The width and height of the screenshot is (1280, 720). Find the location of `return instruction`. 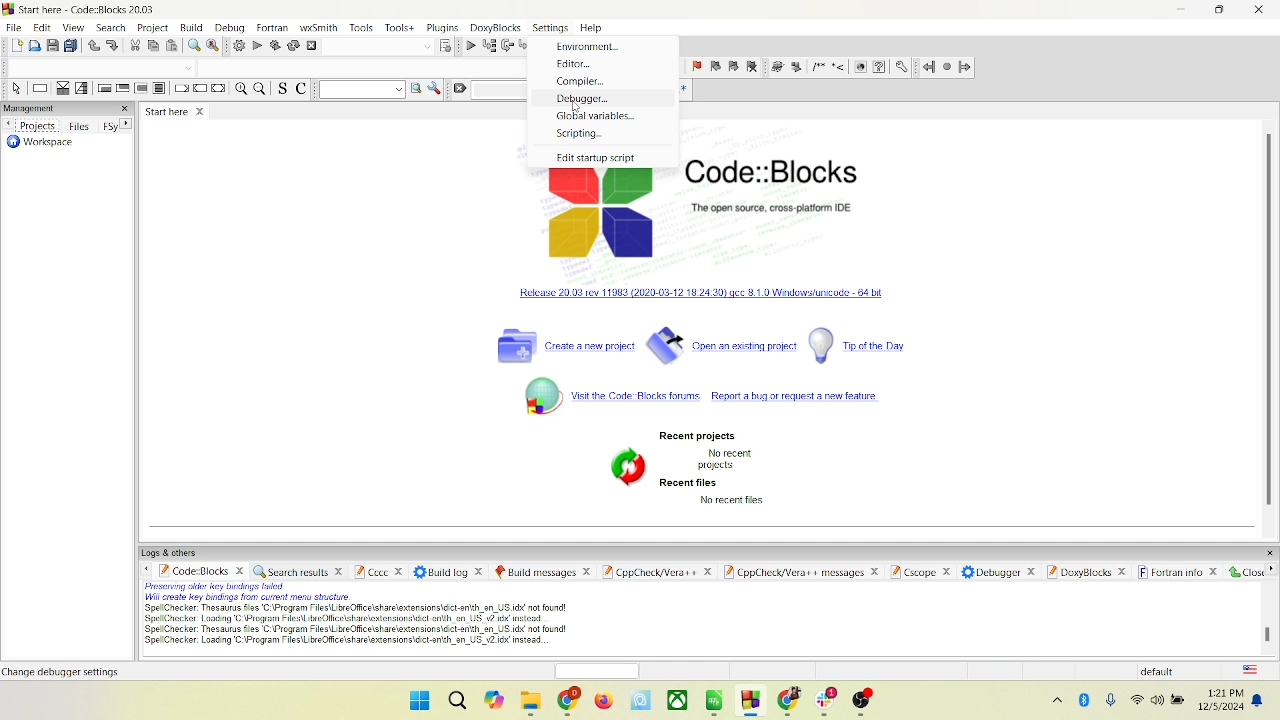

return instruction is located at coordinates (221, 88).